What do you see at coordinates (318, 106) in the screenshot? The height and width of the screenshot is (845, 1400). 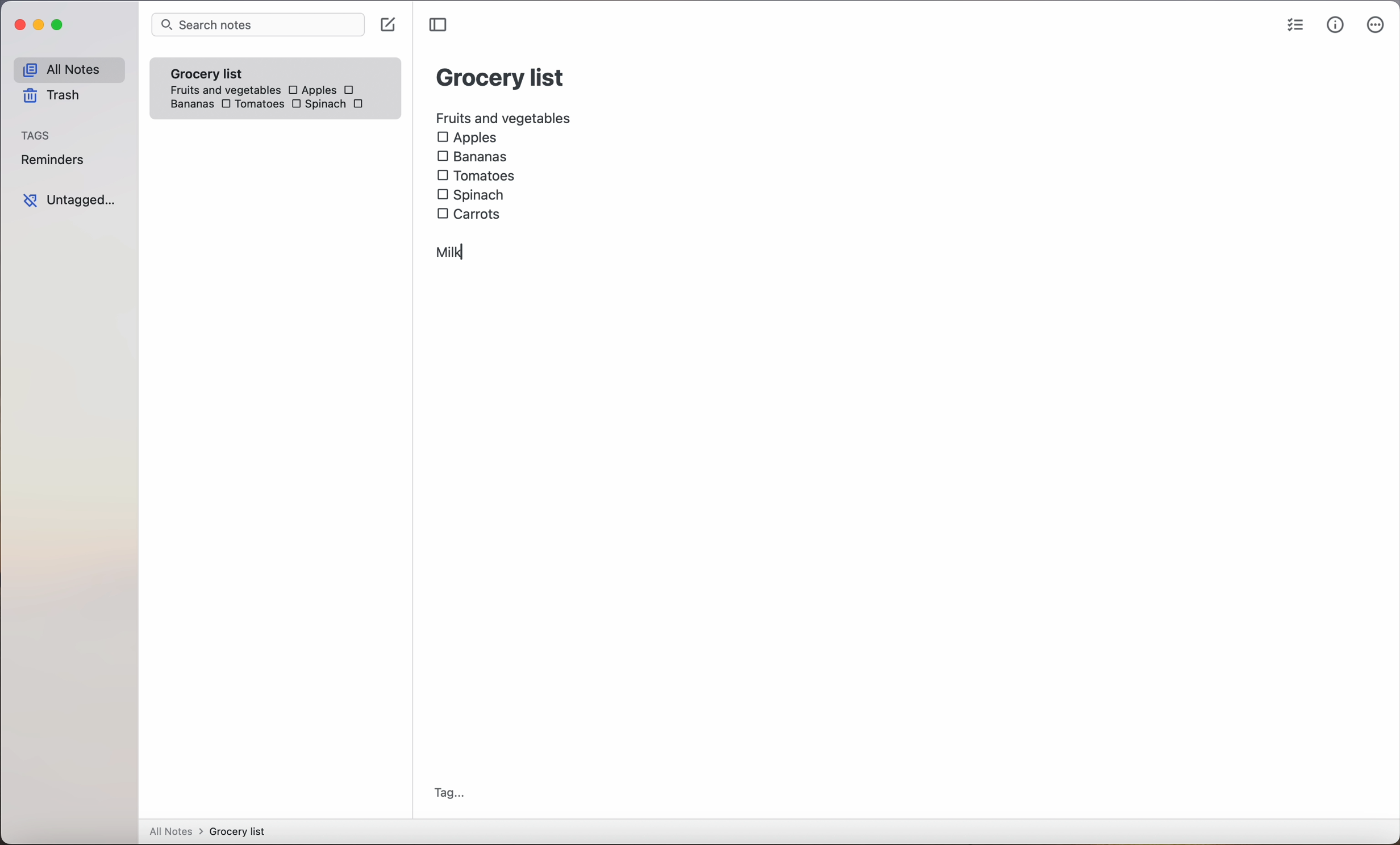 I see `Spinach checkbox` at bounding box center [318, 106].